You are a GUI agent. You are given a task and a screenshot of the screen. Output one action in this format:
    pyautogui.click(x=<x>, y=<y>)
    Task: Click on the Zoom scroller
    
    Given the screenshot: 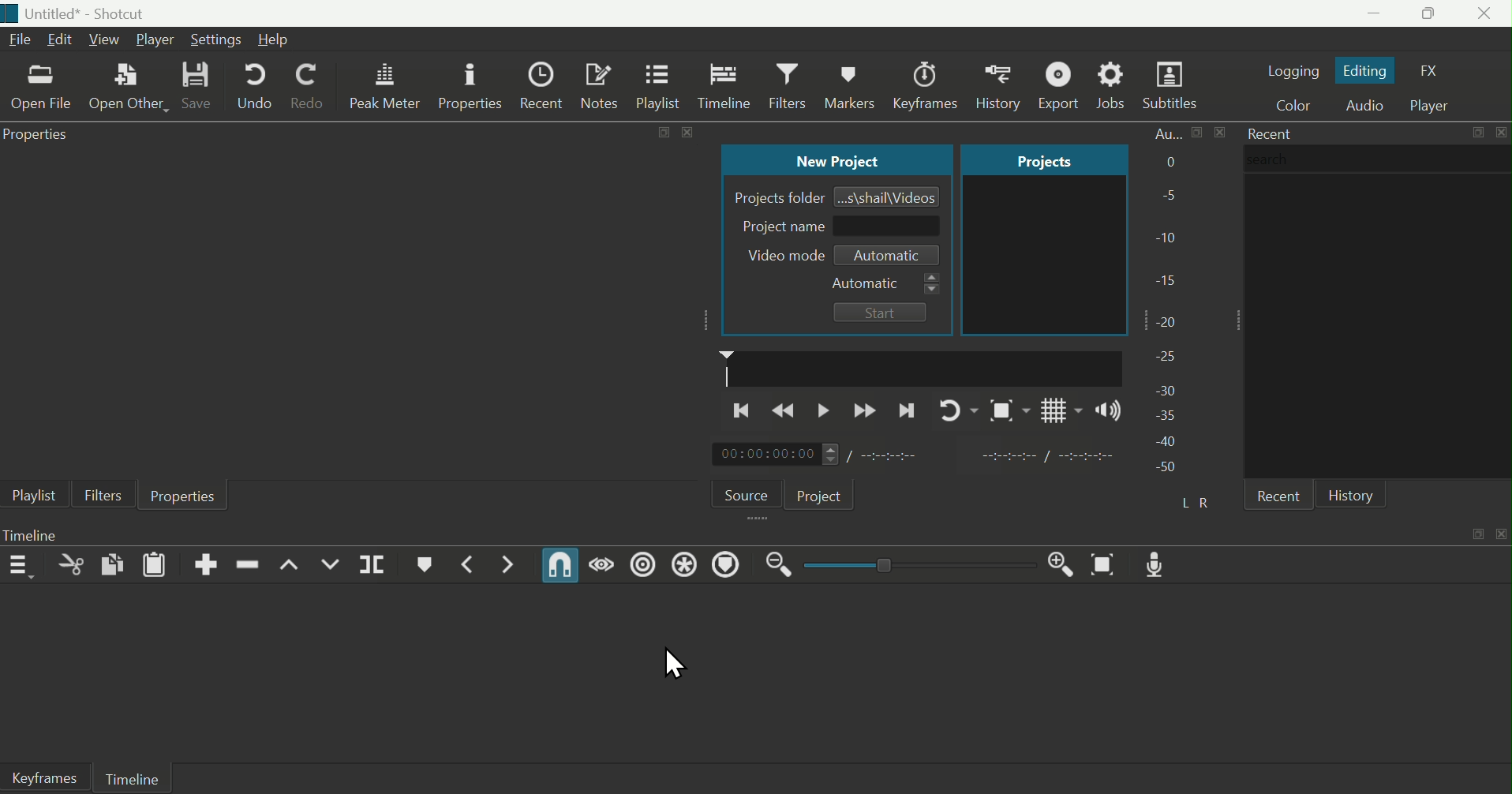 What is the action you would take?
    pyautogui.click(x=915, y=564)
    